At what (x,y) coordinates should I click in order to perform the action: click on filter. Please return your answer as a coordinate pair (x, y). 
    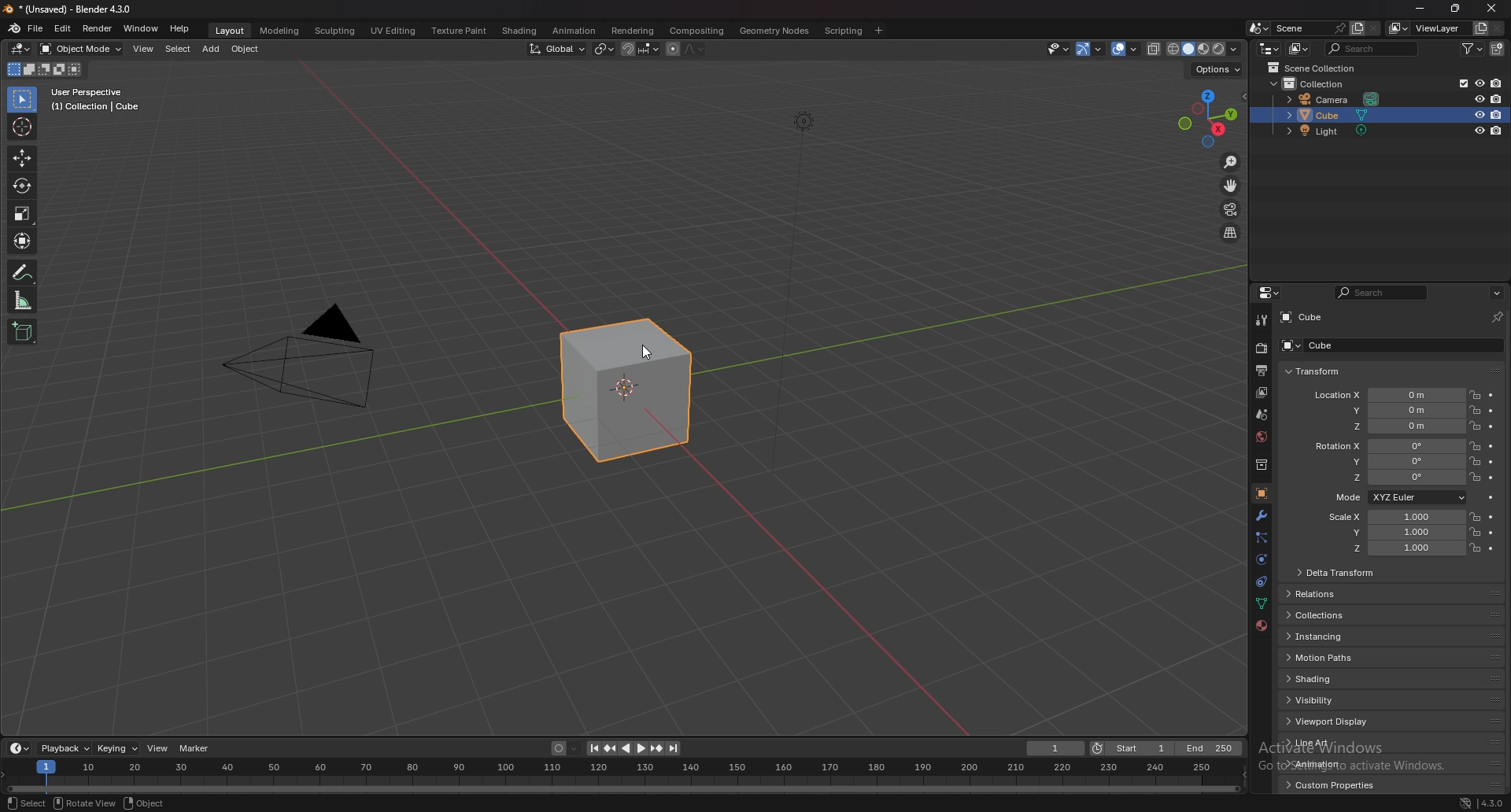
    Looking at the image, I should click on (1471, 49).